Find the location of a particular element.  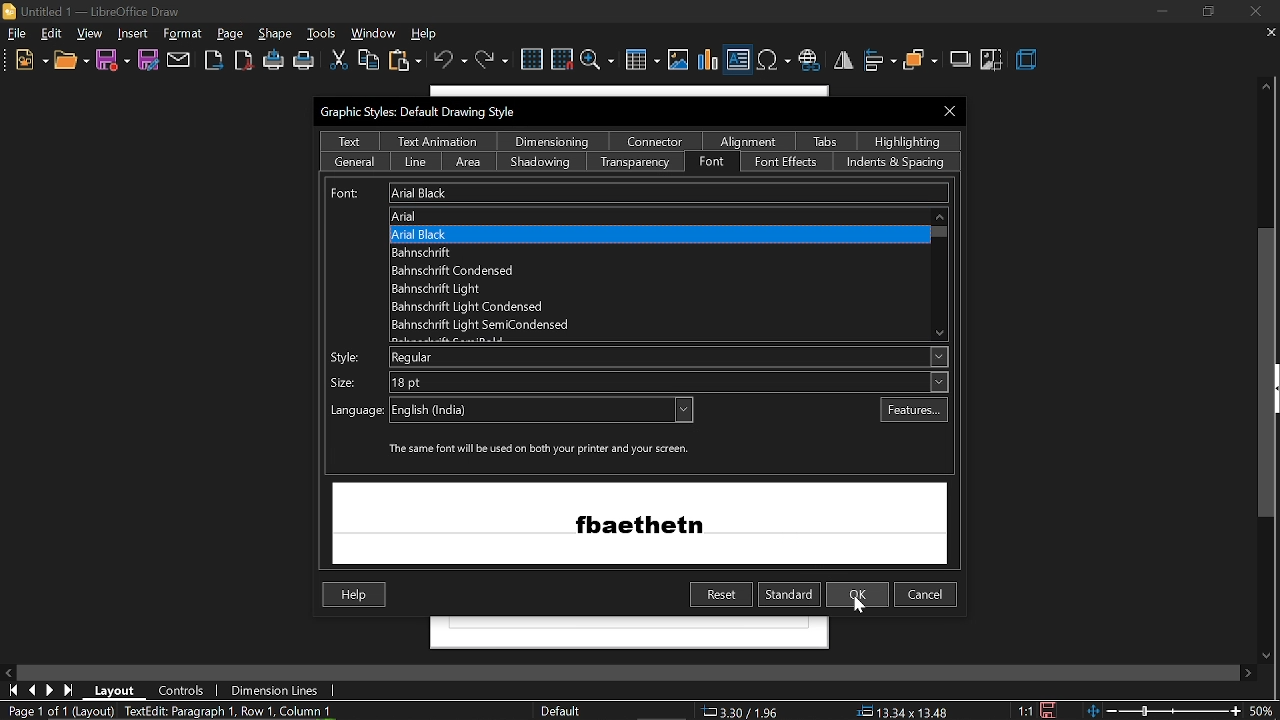

File is located at coordinates (17, 33).